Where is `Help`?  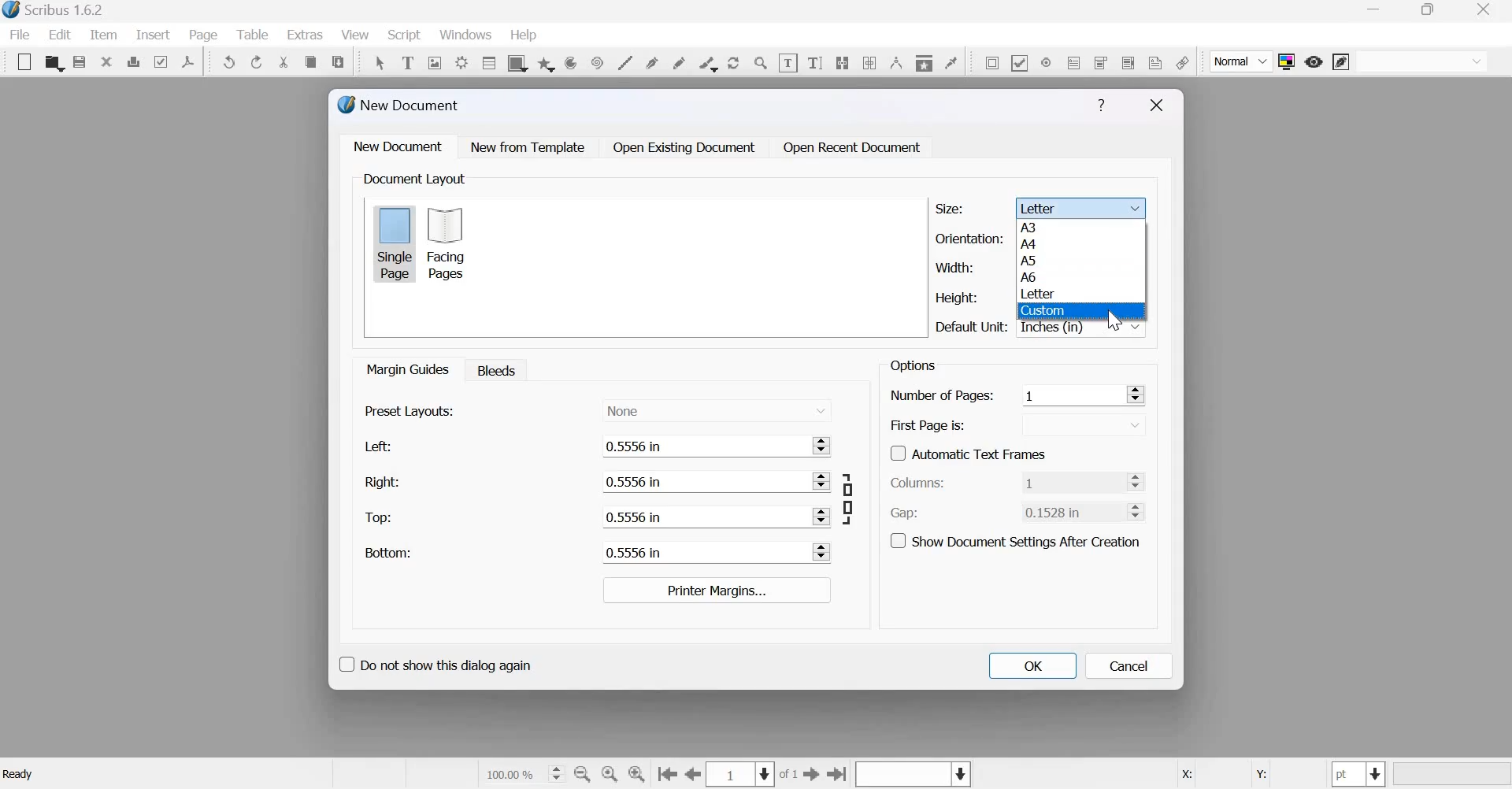
Help is located at coordinates (1101, 106).